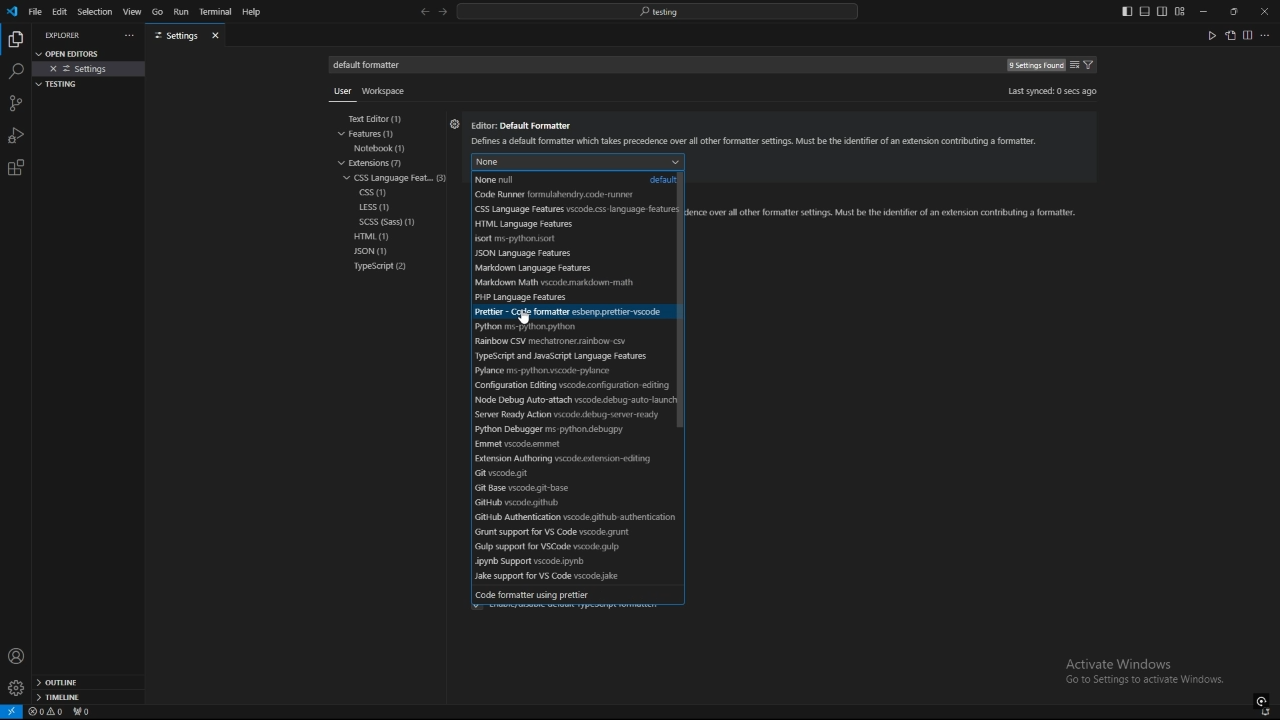 This screenshot has width=1280, height=720. Describe the element at coordinates (88, 699) in the screenshot. I see `timeline` at that location.